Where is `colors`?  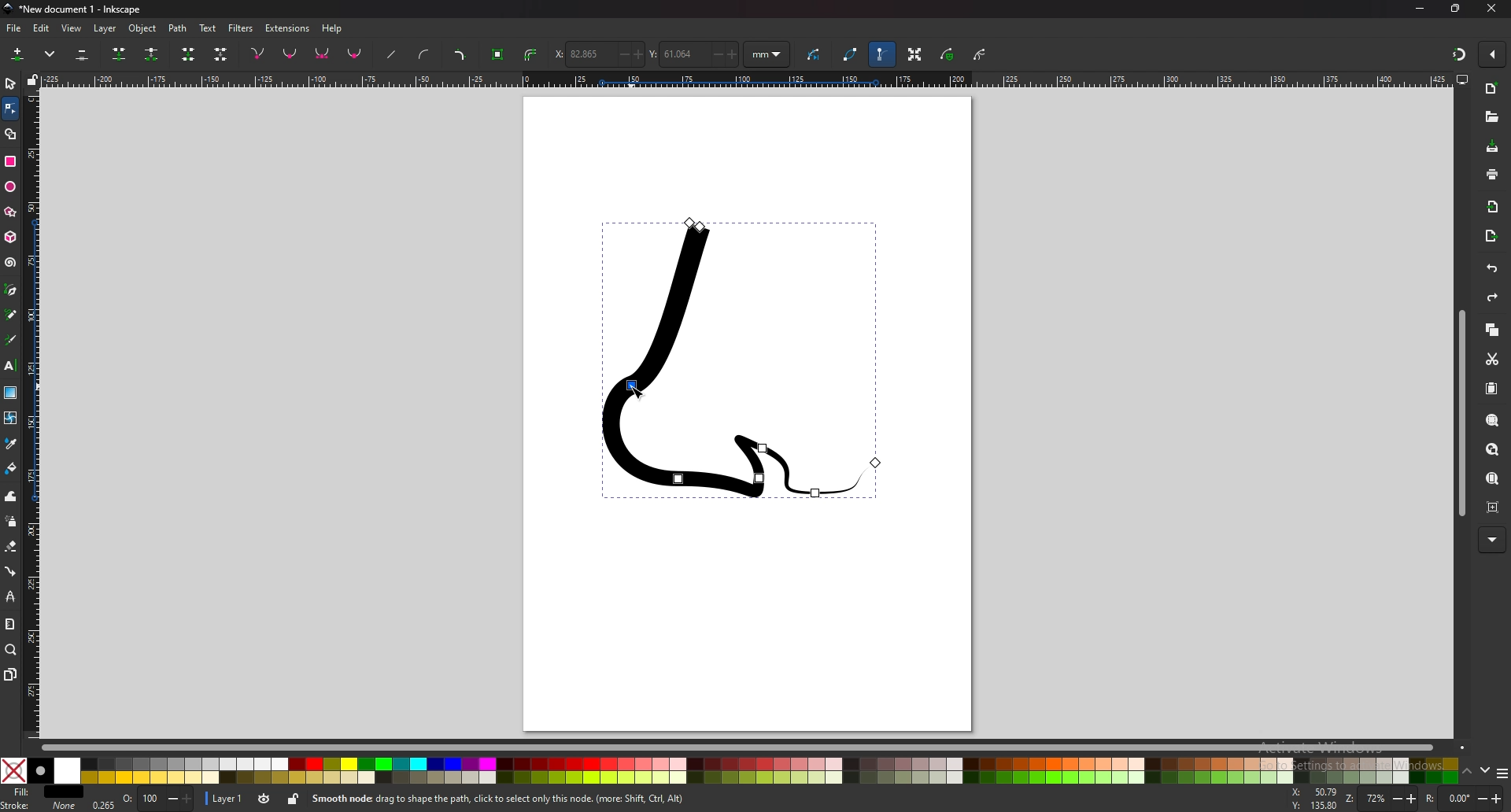
colors is located at coordinates (728, 771).